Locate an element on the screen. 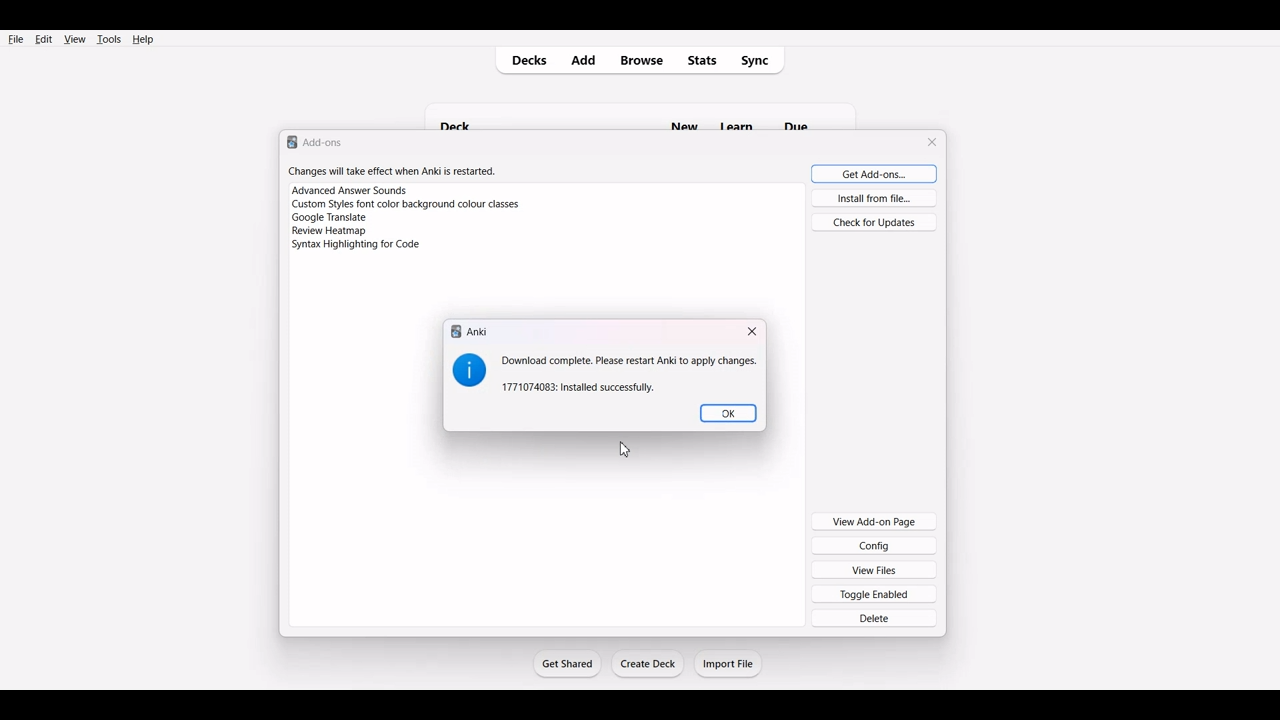 Image resolution: width=1280 pixels, height=720 pixels. Changes will take effect when Anki is restarted. Advanced Answer Sounds Custom Styles font color background colour classes Google Translate Syntax Highlighting for Code. is located at coordinates (414, 208).